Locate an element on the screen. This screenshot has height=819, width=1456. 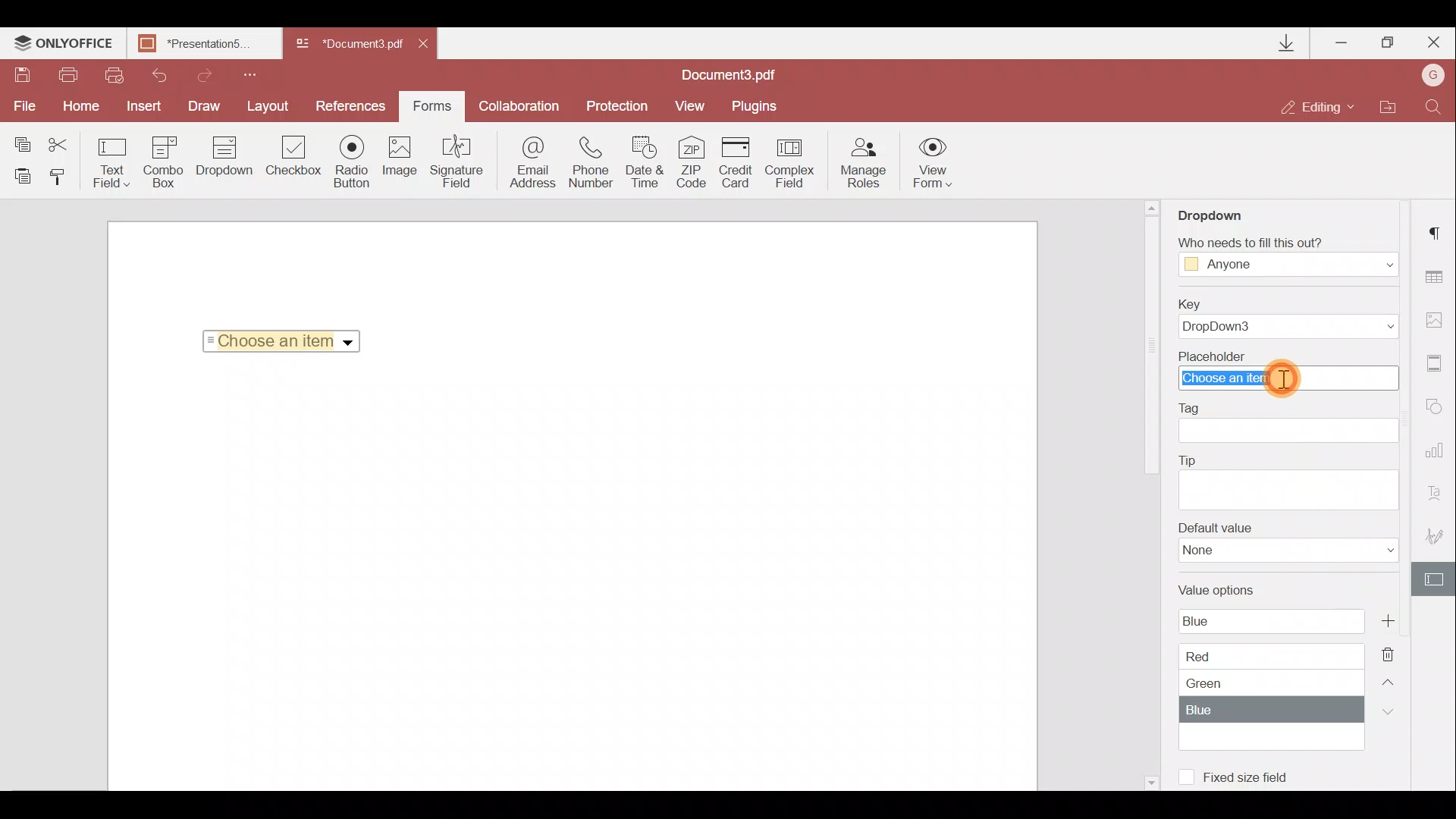
Protection is located at coordinates (613, 108).